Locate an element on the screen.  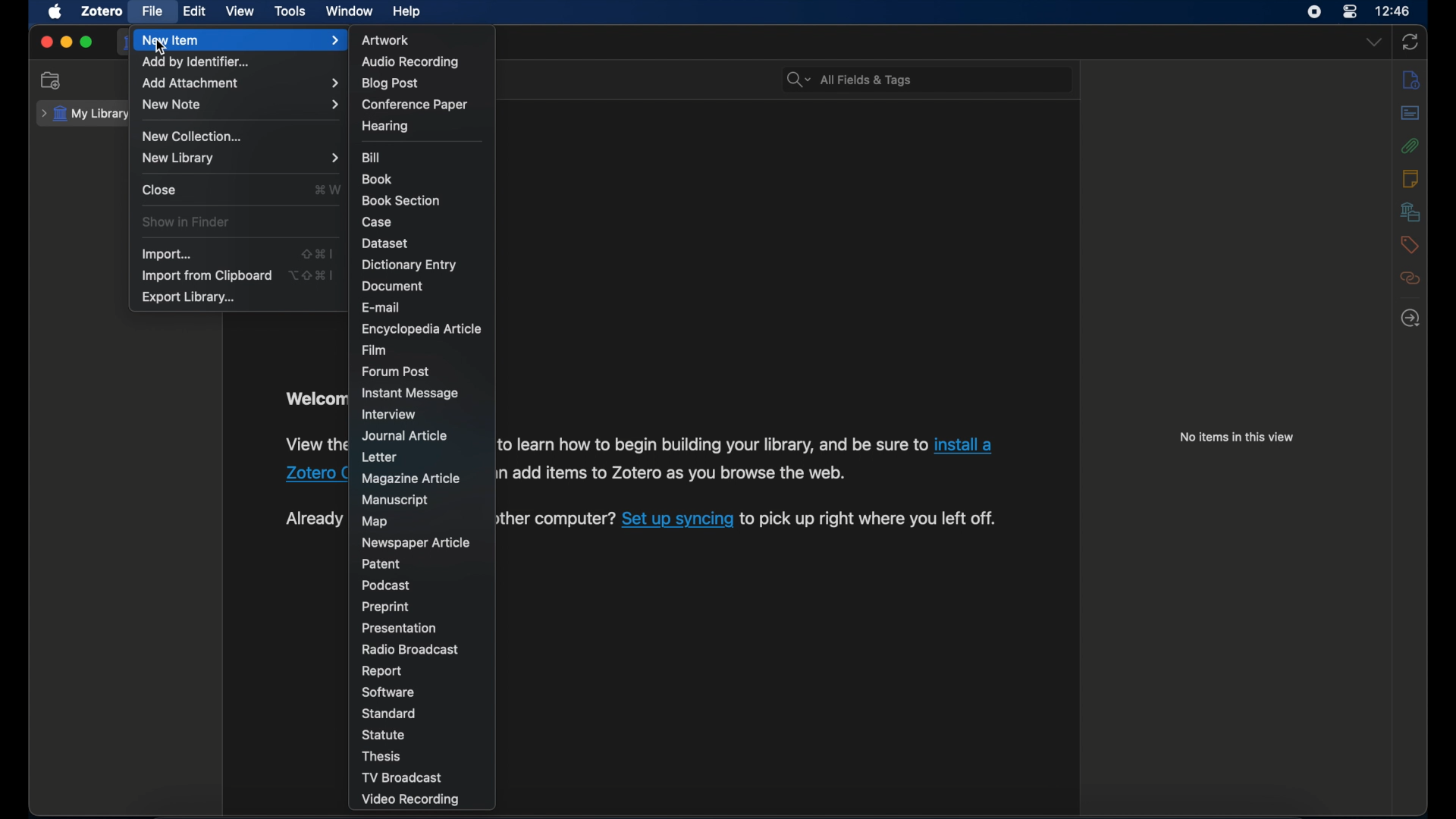
close is located at coordinates (45, 42).